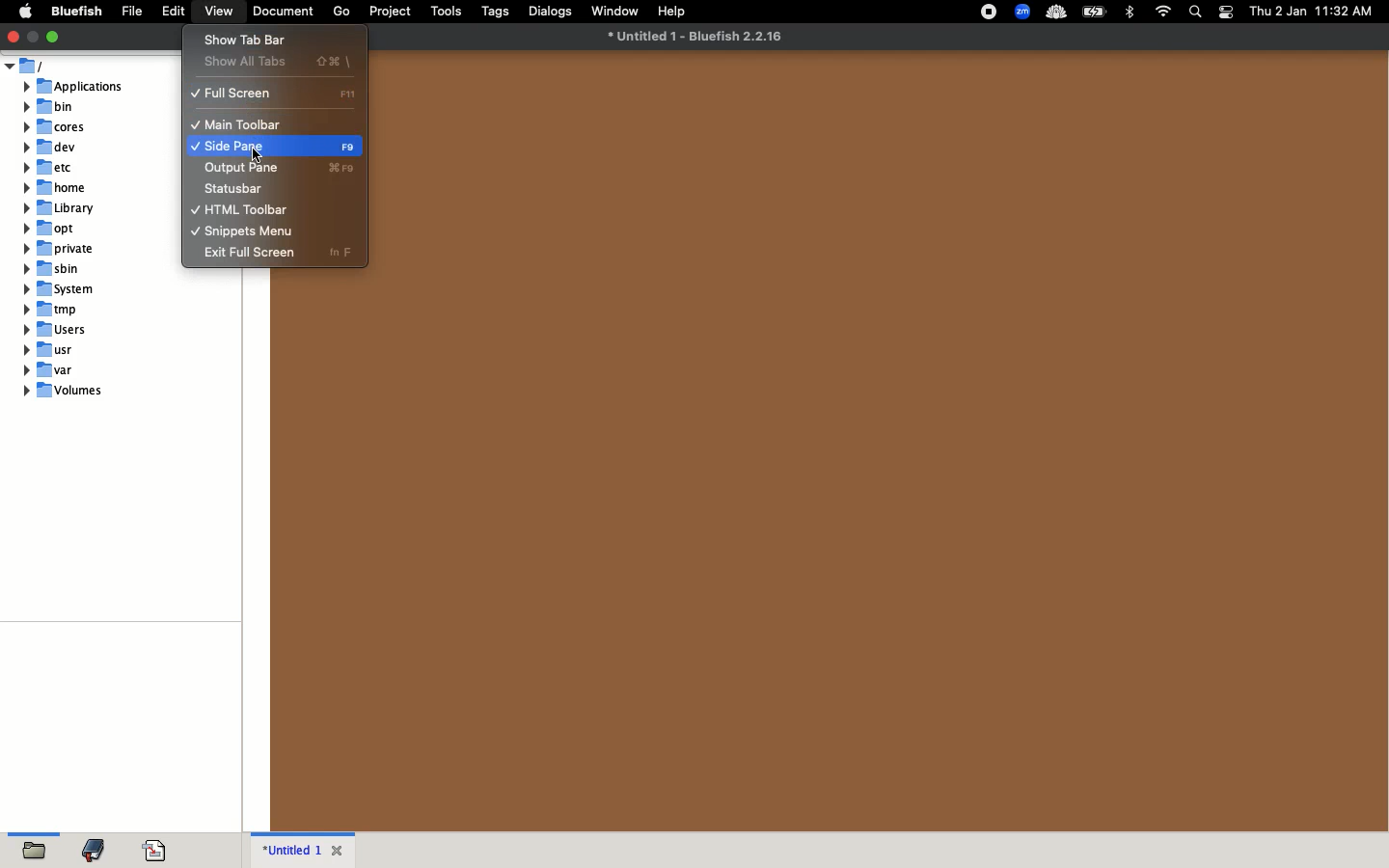 Image resolution: width=1389 pixels, height=868 pixels. I want to click on main toolbar, so click(234, 124).